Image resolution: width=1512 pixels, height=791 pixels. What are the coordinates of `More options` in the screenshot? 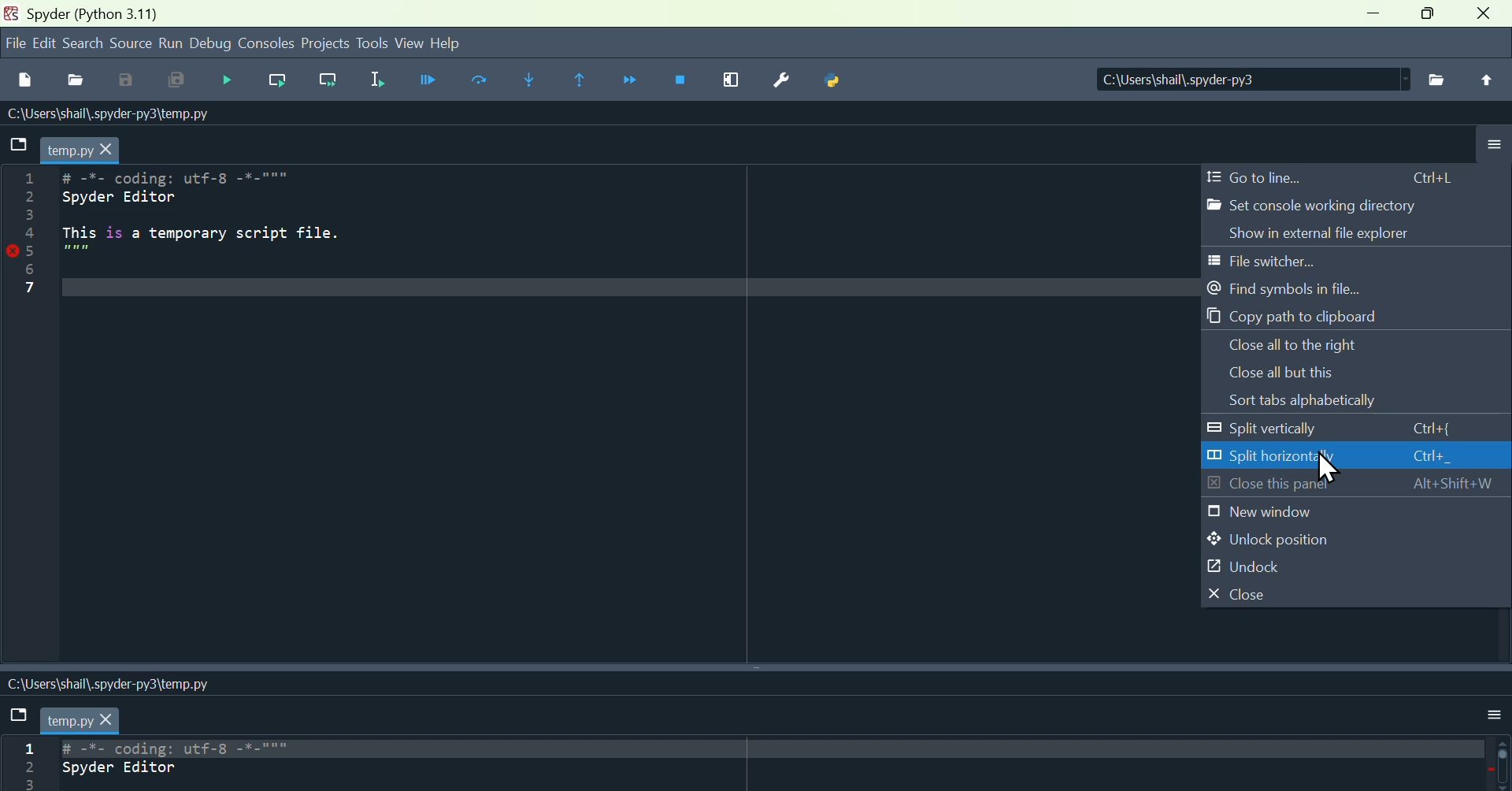 It's located at (1490, 153).